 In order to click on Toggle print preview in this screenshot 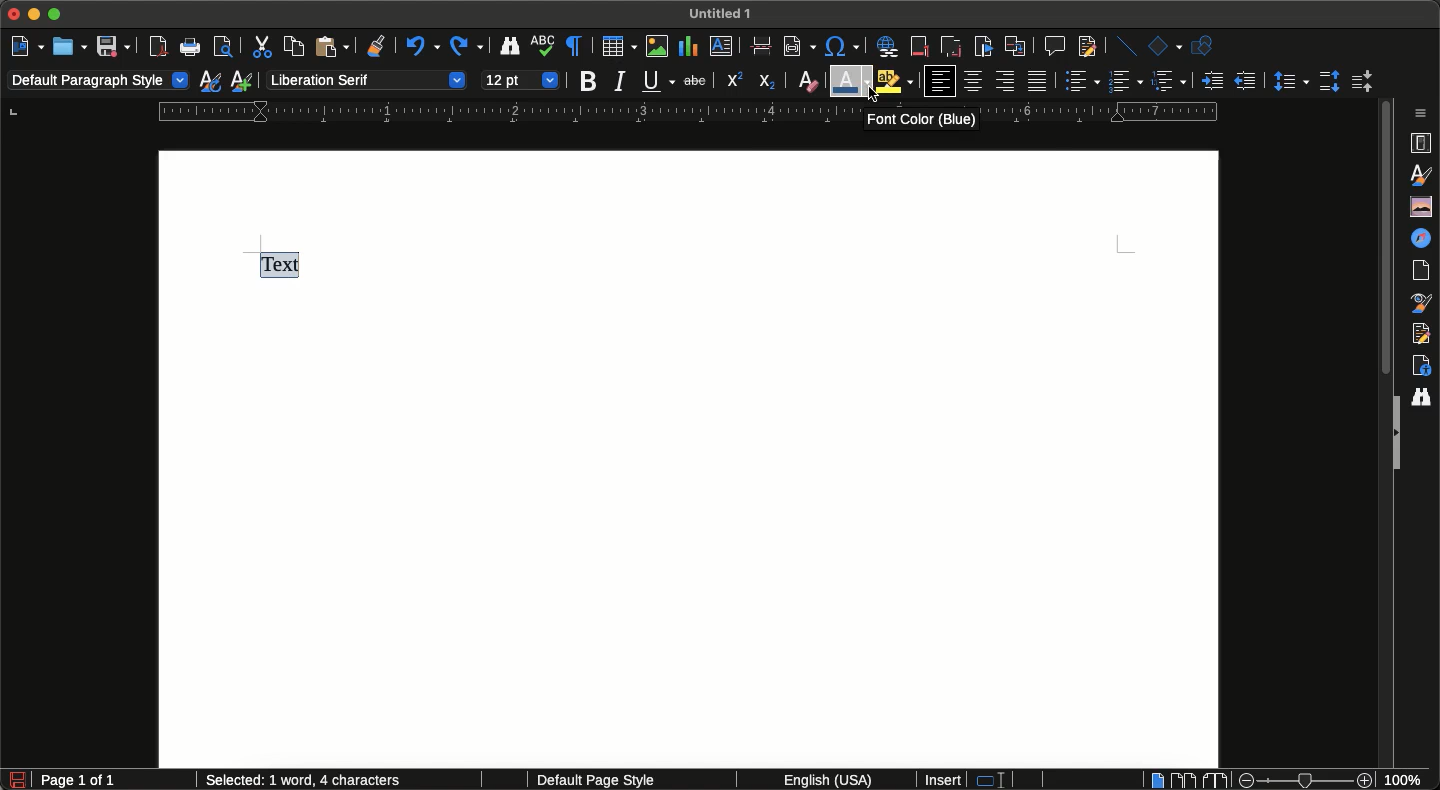, I will do `click(224, 49)`.